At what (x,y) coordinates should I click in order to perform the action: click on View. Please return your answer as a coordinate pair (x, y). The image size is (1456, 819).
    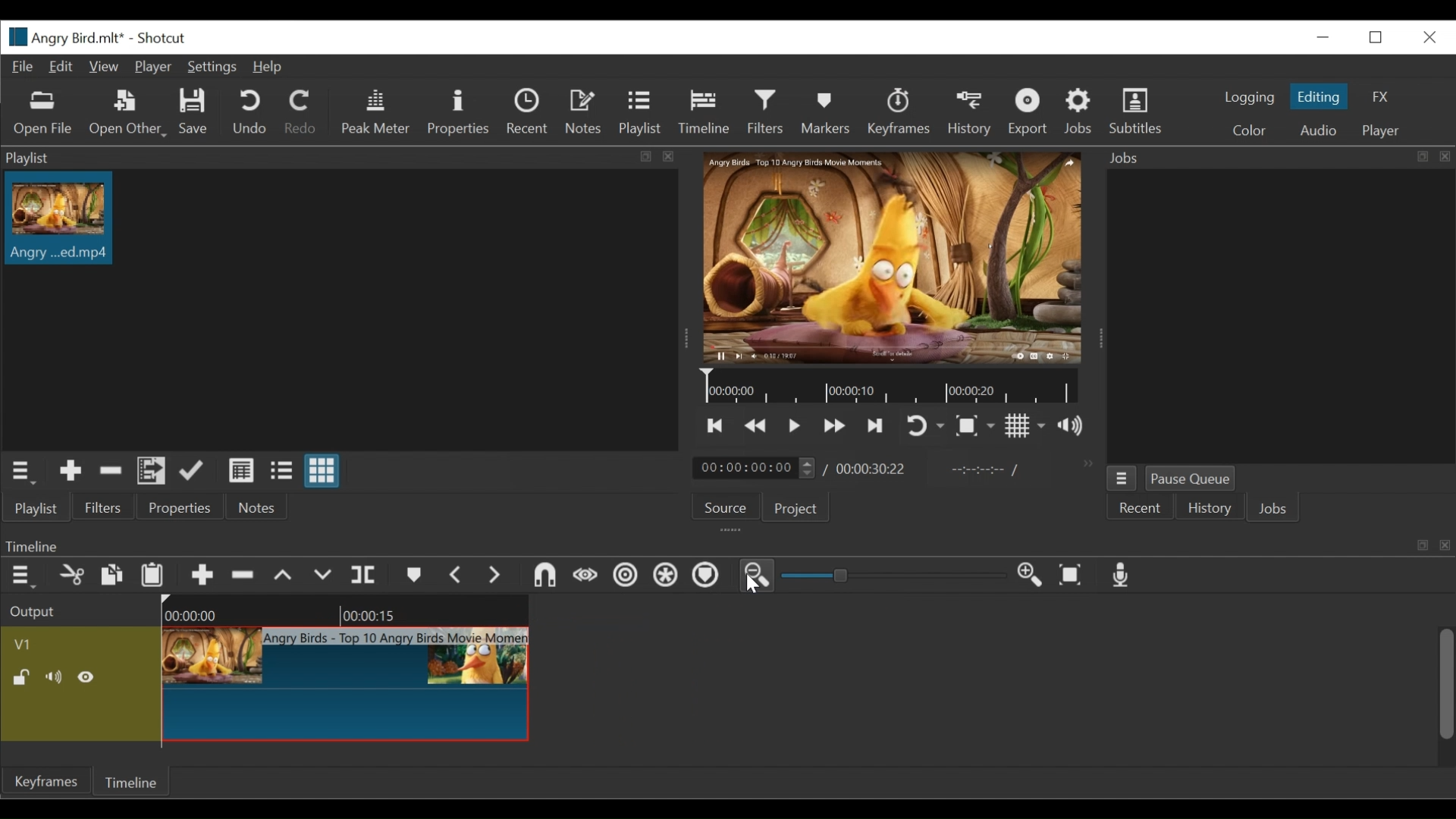
    Looking at the image, I should click on (103, 67).